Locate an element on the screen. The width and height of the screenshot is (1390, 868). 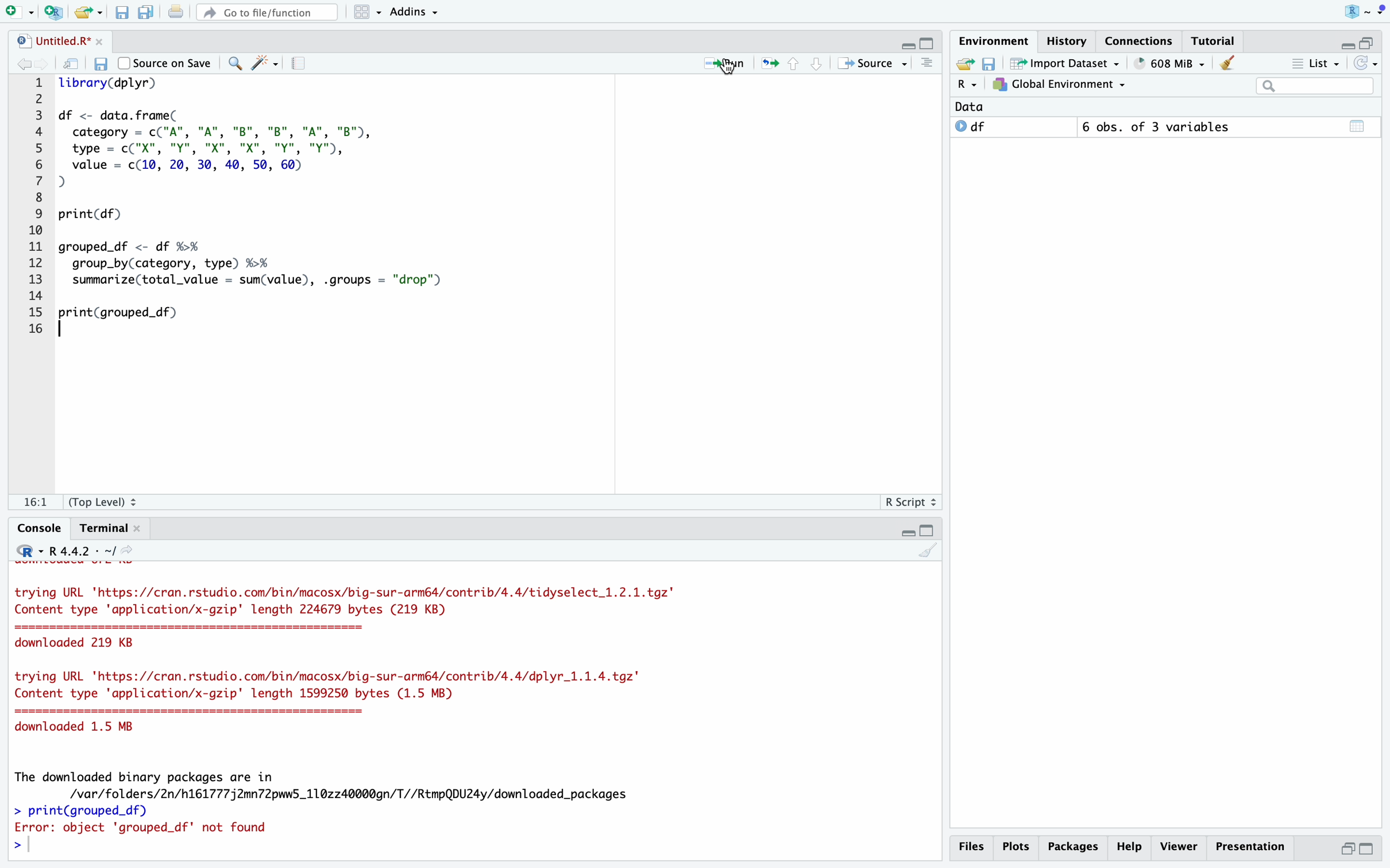
Export history logs is located at coordinates (967, 63).